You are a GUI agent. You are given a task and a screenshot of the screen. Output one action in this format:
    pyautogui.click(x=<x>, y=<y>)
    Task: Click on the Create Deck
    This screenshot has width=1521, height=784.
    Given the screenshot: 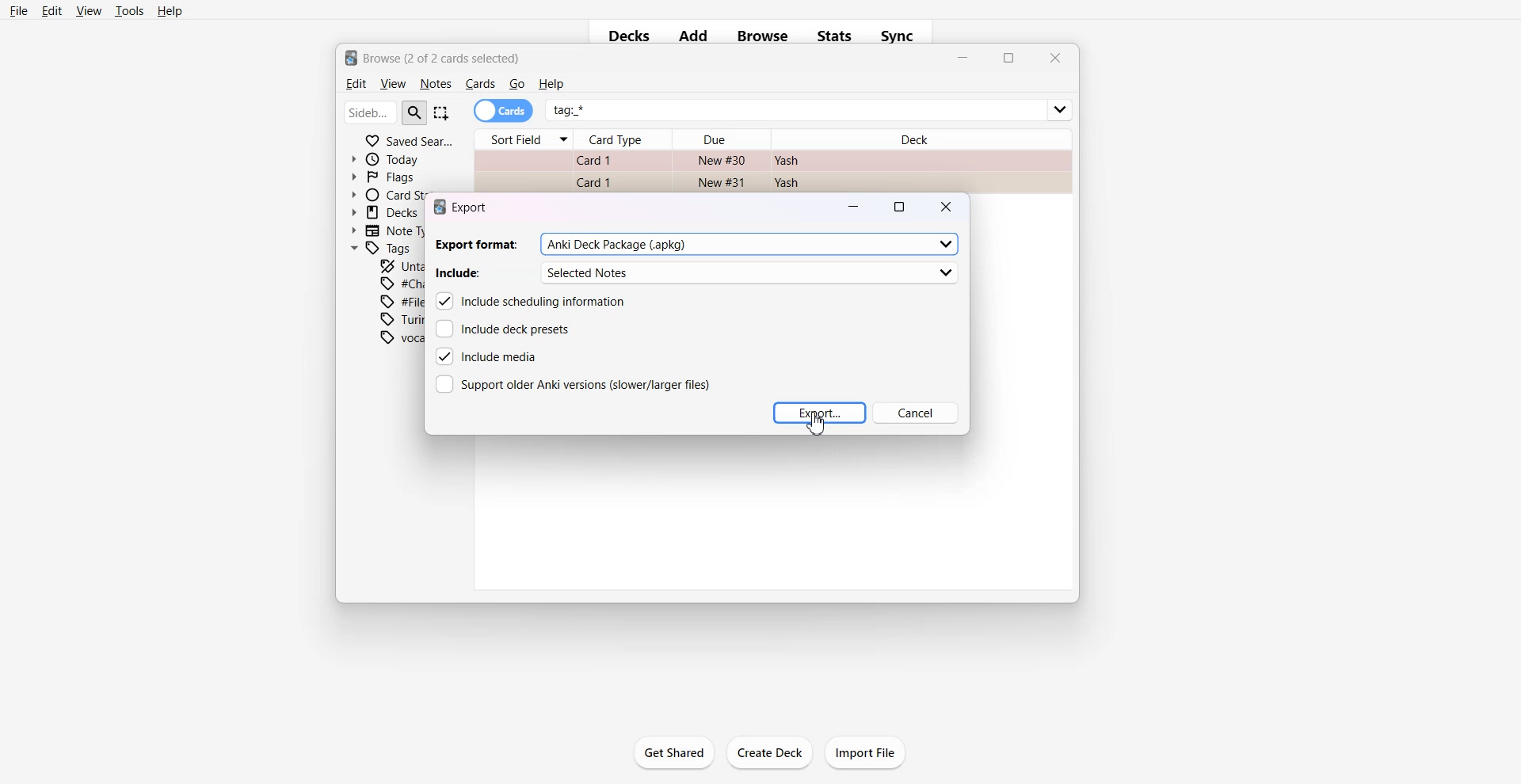 What is the action you would take?
    pyautogui.click(x=770, y=753)
    